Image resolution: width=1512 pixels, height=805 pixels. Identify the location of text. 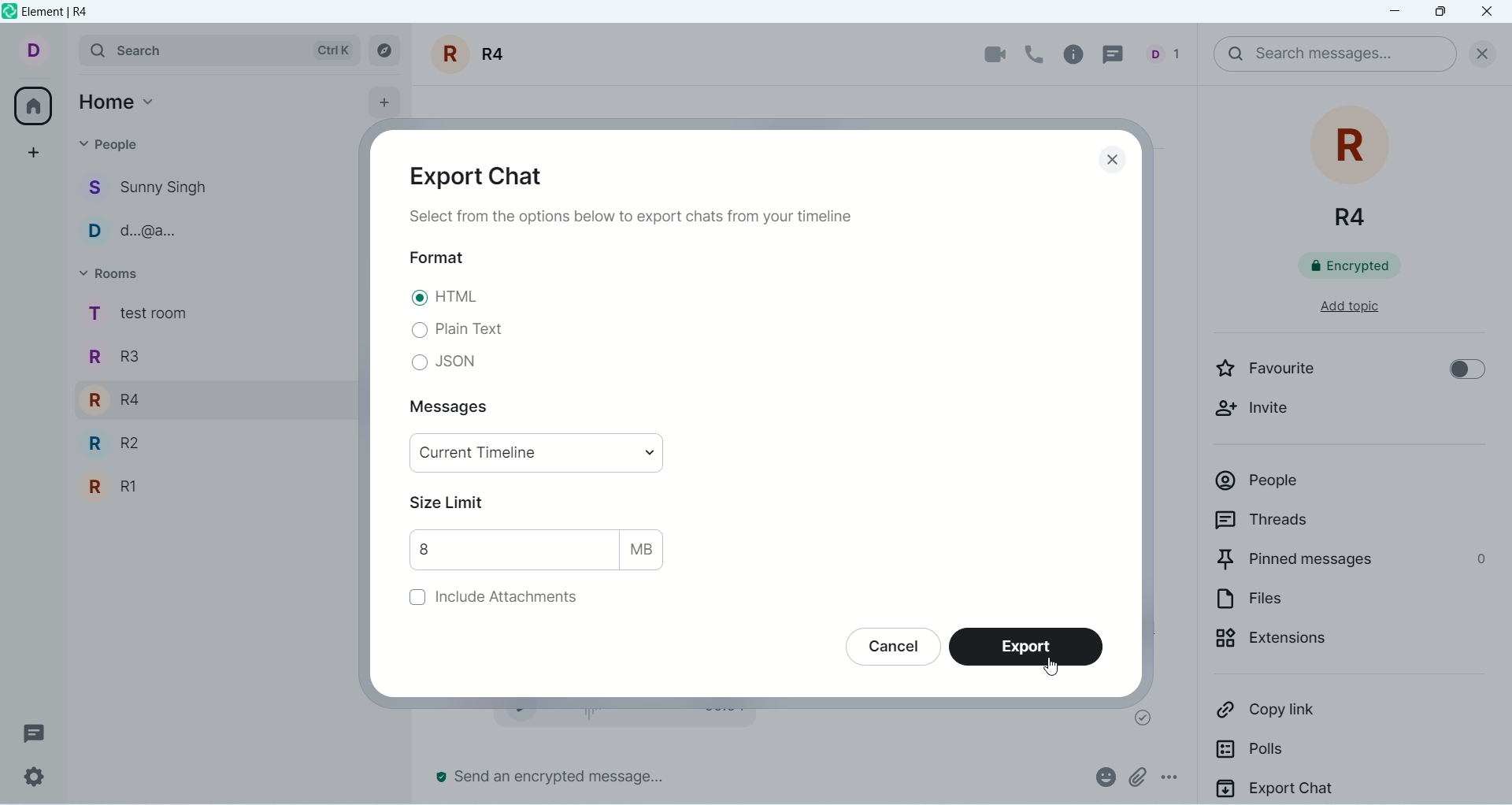
(637, 220).